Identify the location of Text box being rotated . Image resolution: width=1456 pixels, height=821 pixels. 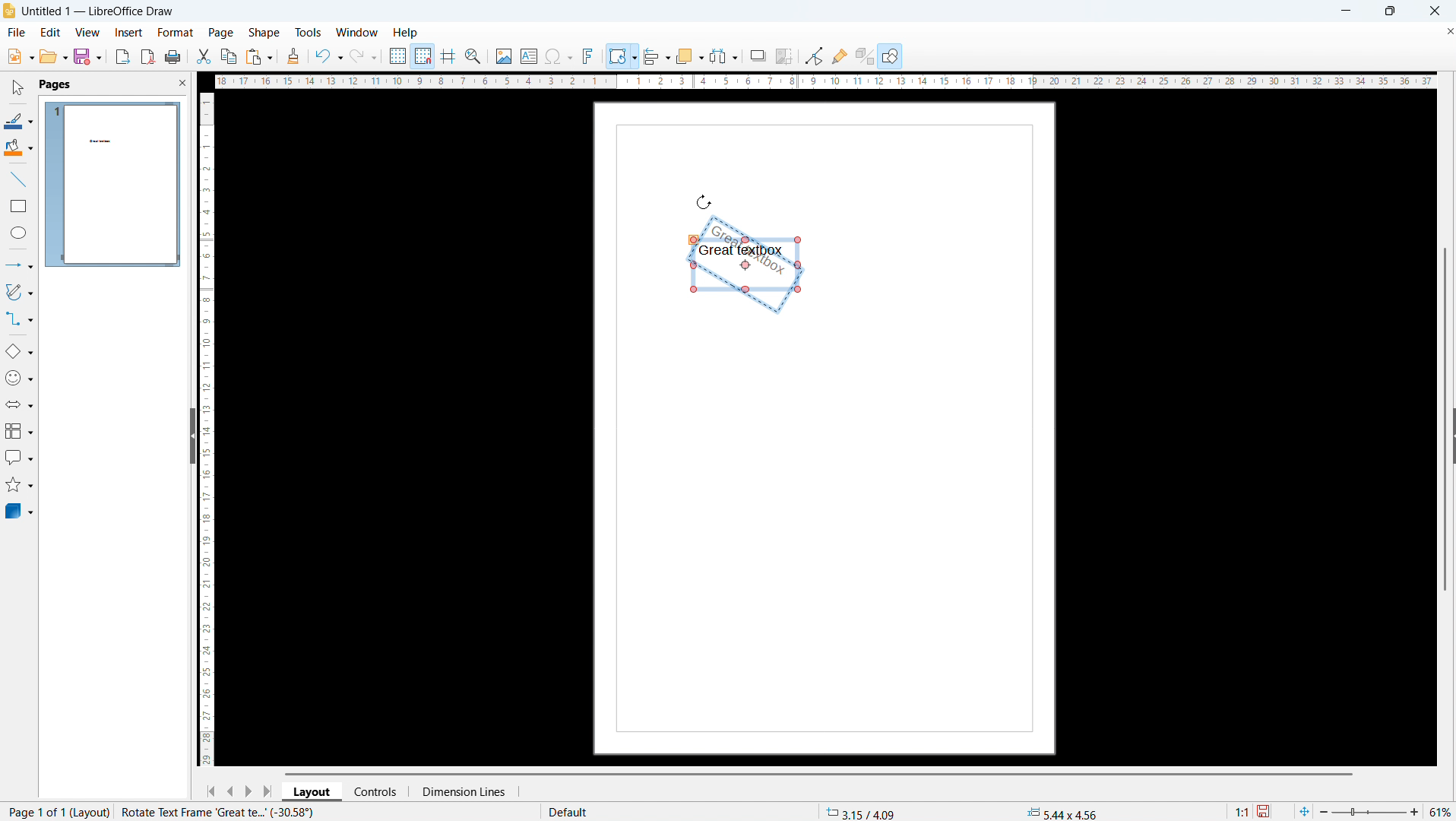
(768, 250).